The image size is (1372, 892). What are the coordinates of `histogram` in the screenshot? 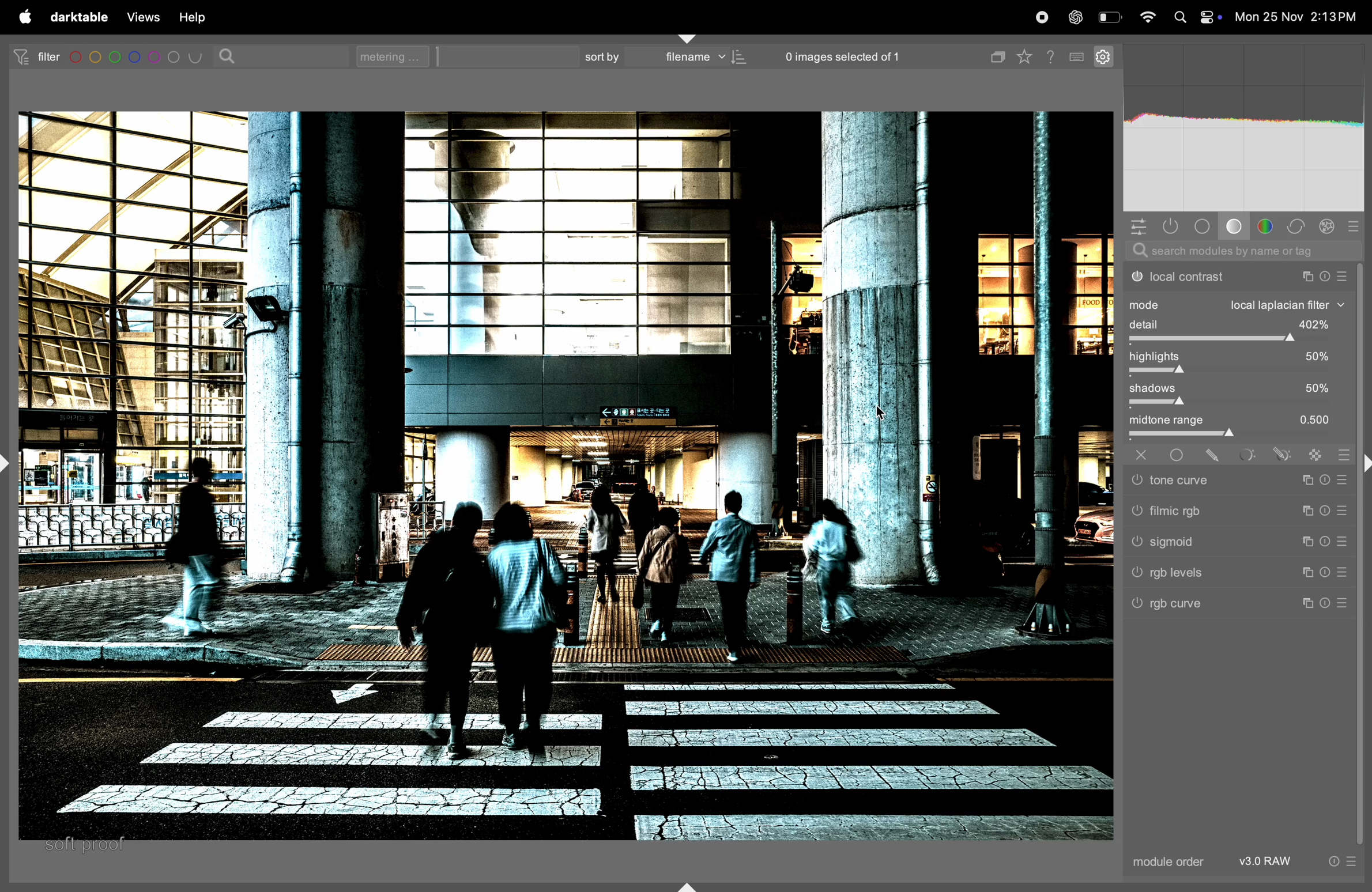 It's located at (1243, 129).